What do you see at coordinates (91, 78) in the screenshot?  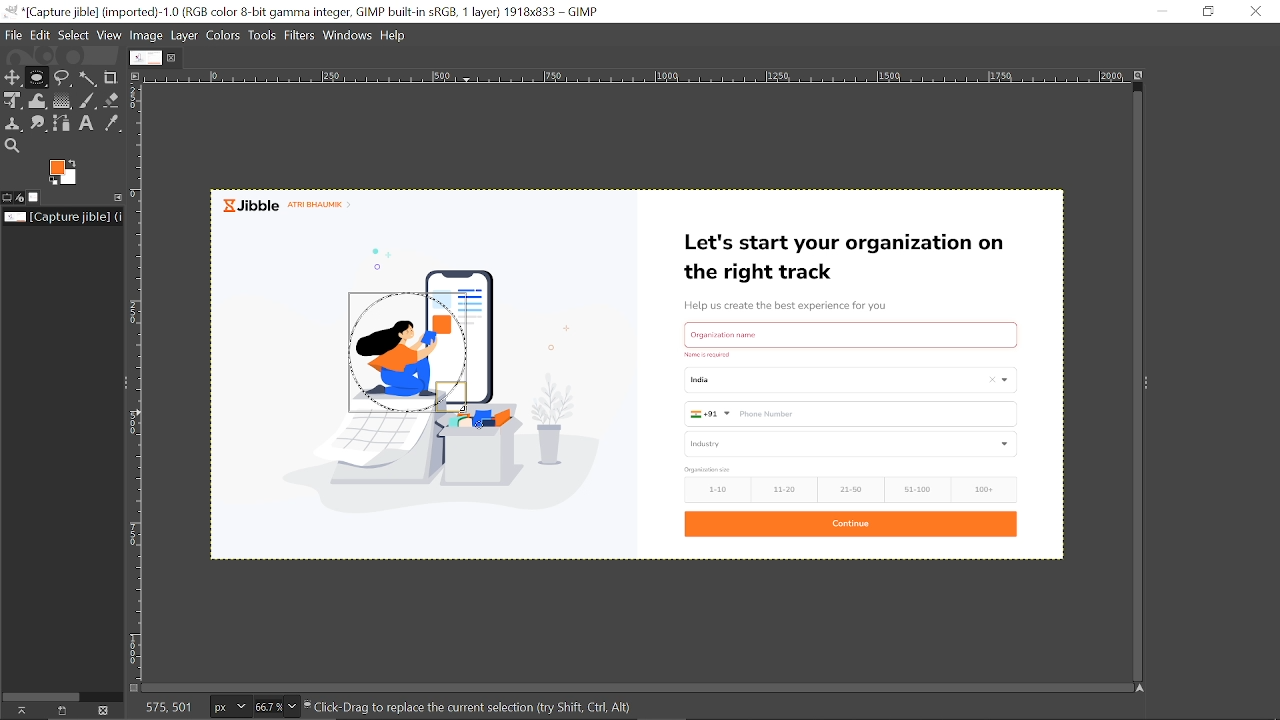 I see `Fuzzy select tool` at bounding box center [91, 78].